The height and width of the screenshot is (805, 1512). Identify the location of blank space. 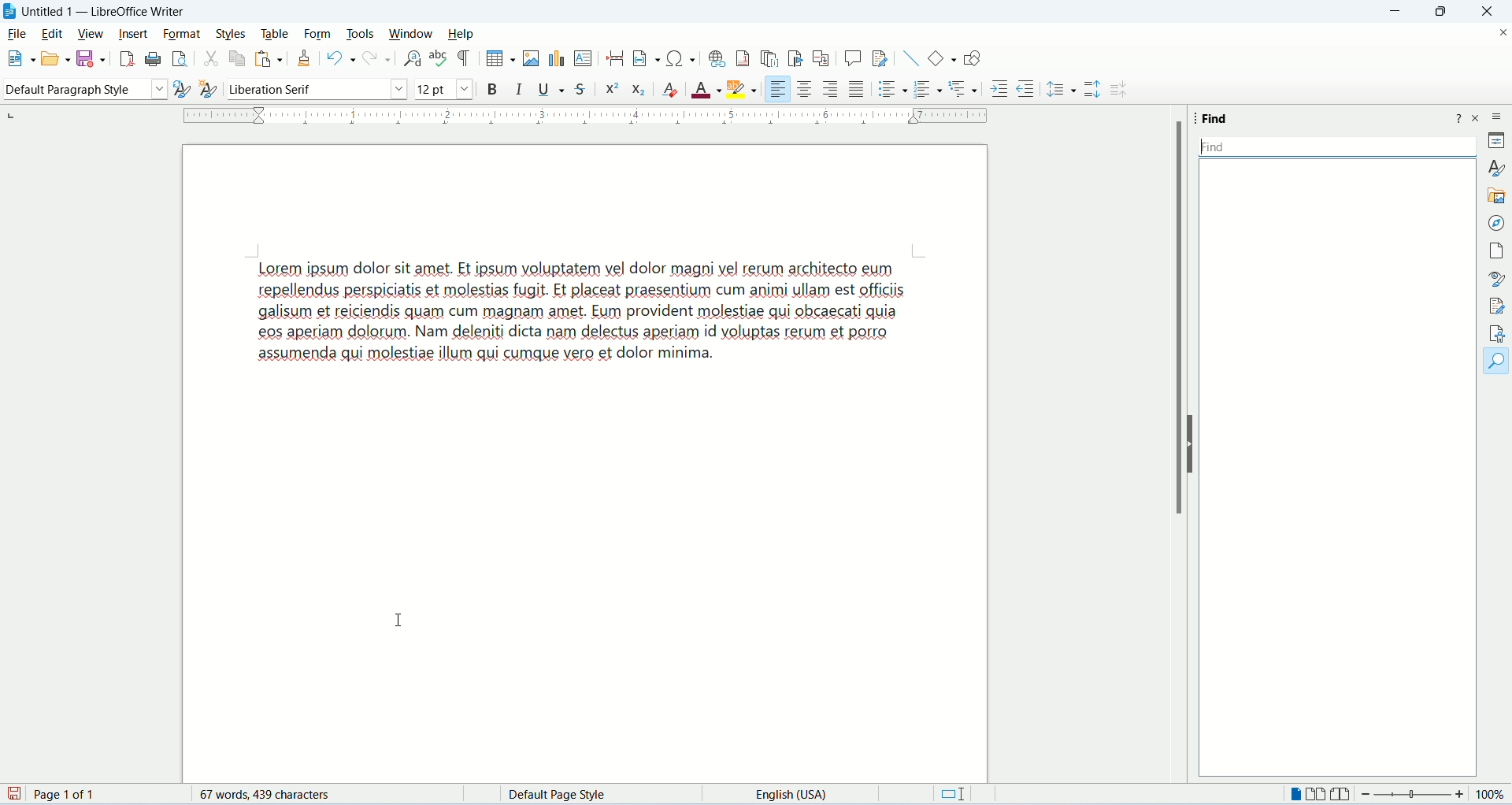
(1336, 148).